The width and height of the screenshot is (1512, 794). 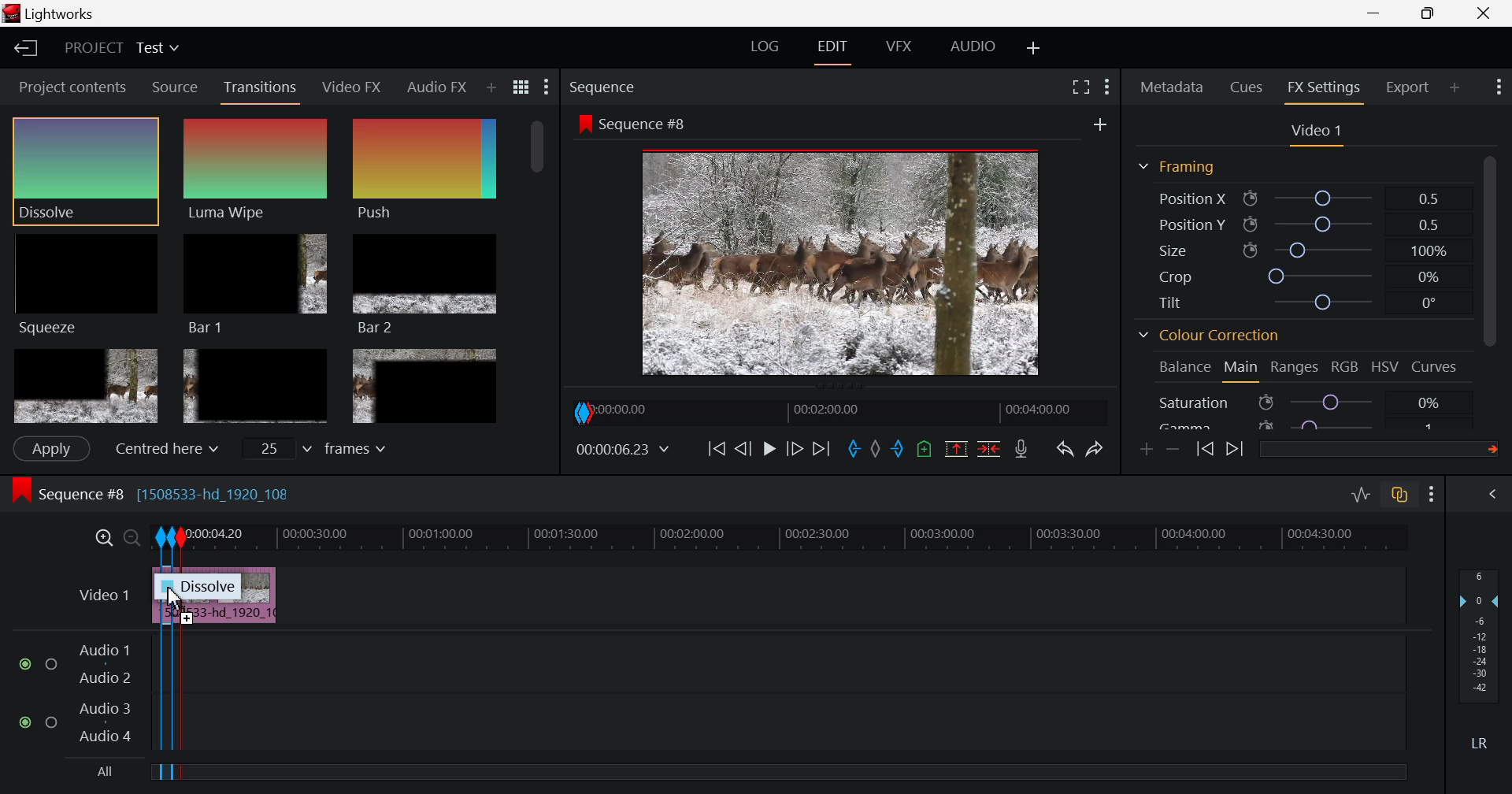 What do you see at coordinates (1247, 86) in the screenshot?
I see `Cues tab` at bounding box center [1247, 86].